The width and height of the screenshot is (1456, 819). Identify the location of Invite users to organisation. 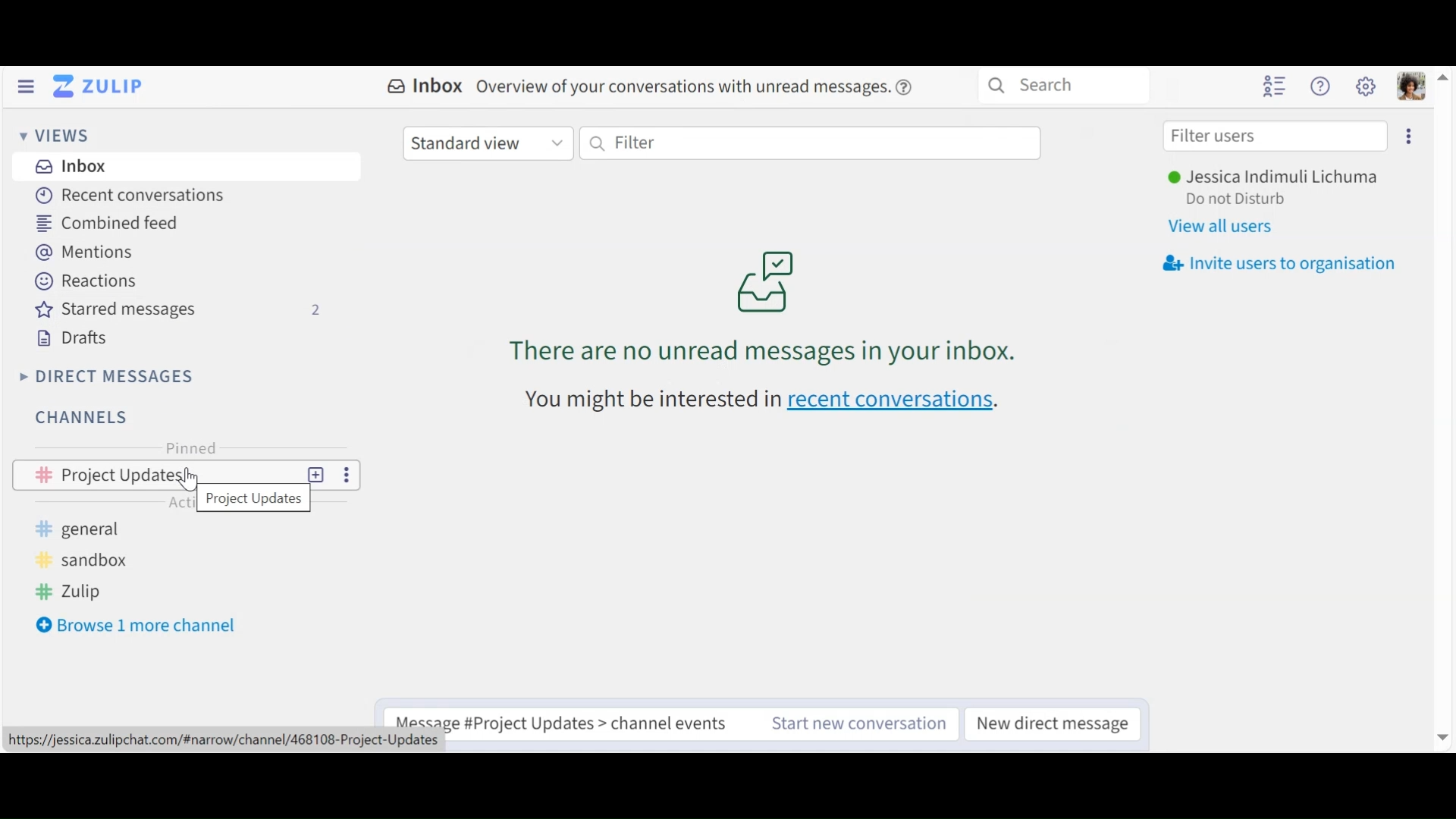
(1279, 263).